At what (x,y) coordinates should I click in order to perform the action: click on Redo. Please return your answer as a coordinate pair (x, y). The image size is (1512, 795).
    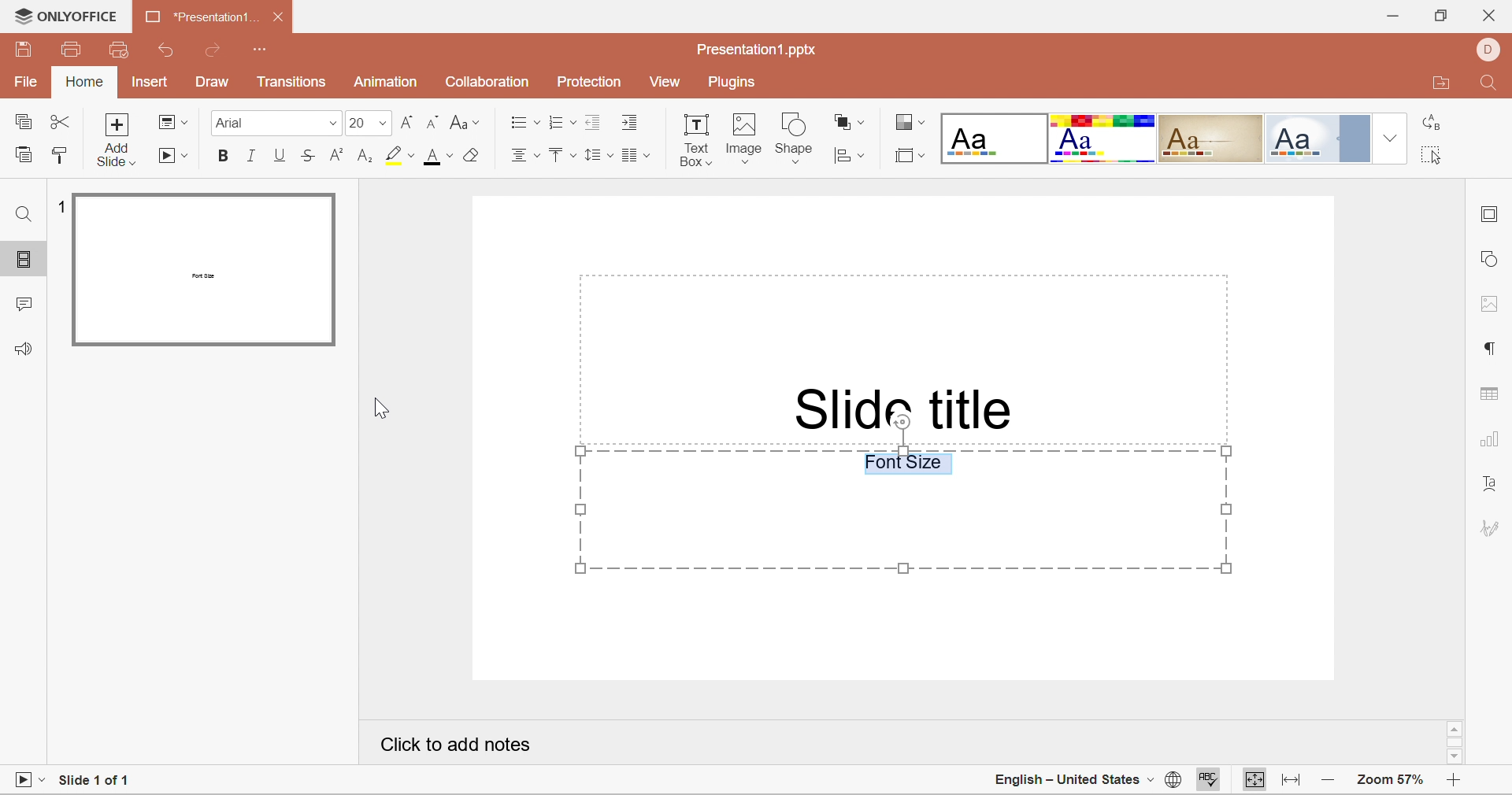
    Looking at the image, I should click on (217, 50).